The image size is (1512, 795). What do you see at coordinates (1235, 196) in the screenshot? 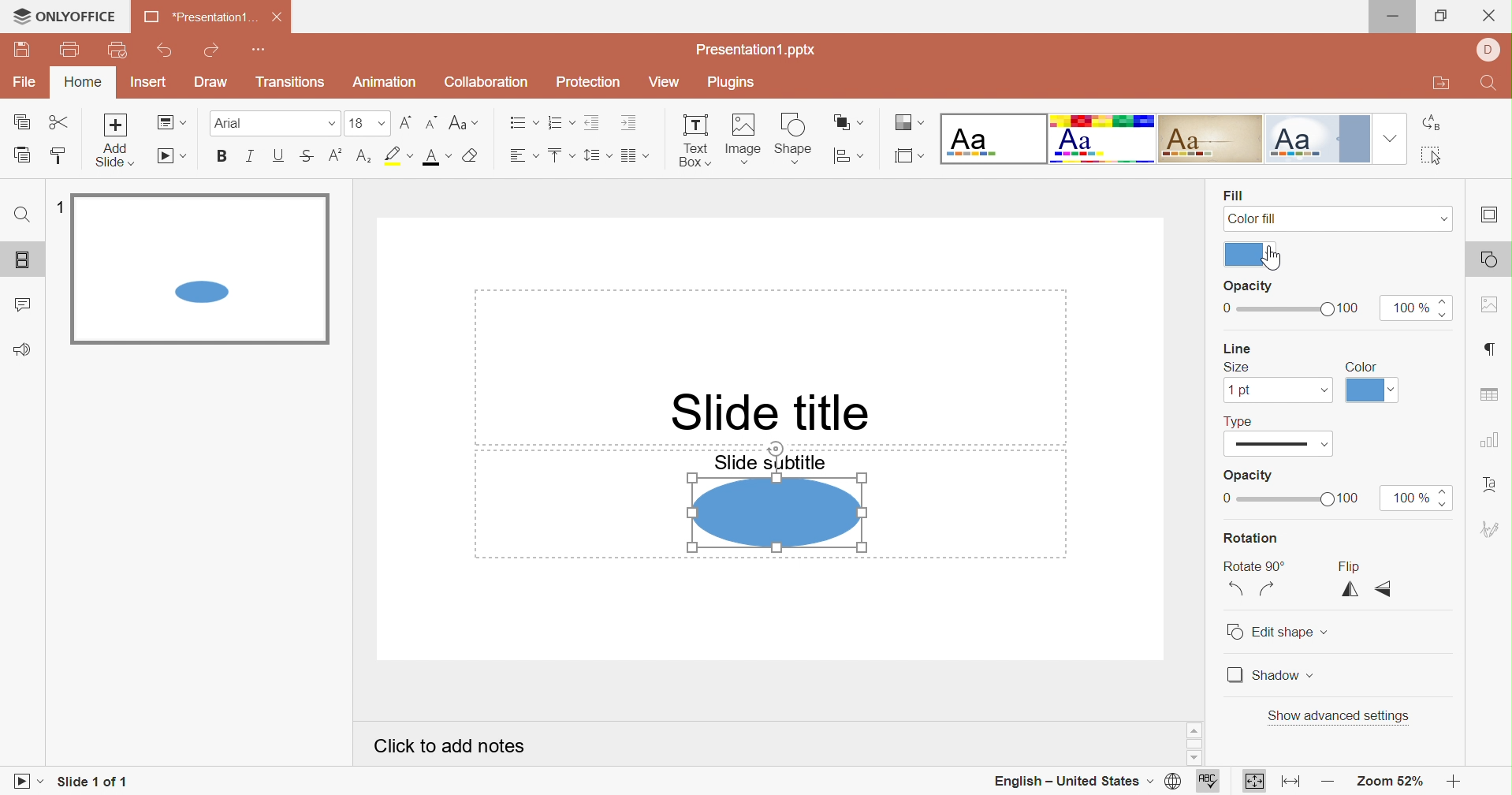
I see `Fill` at bounding box center [1235, 196].